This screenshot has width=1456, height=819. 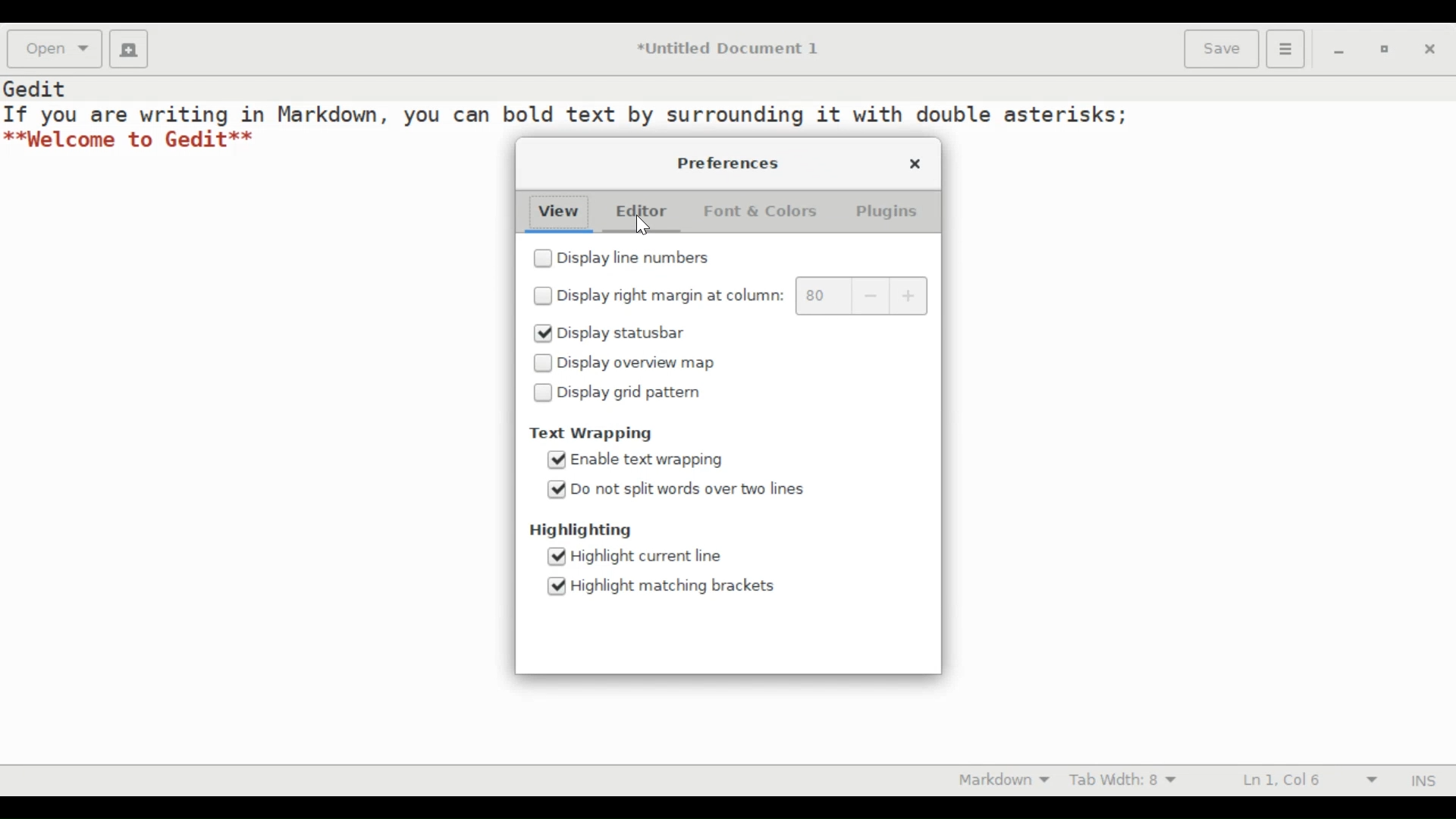 What do you see at coordinates (566, 113) in the screenshot?
I see `If you are writing in Markdown, you can bold text by surrounding it with double asterisks;` at bounding box center [566, 113].